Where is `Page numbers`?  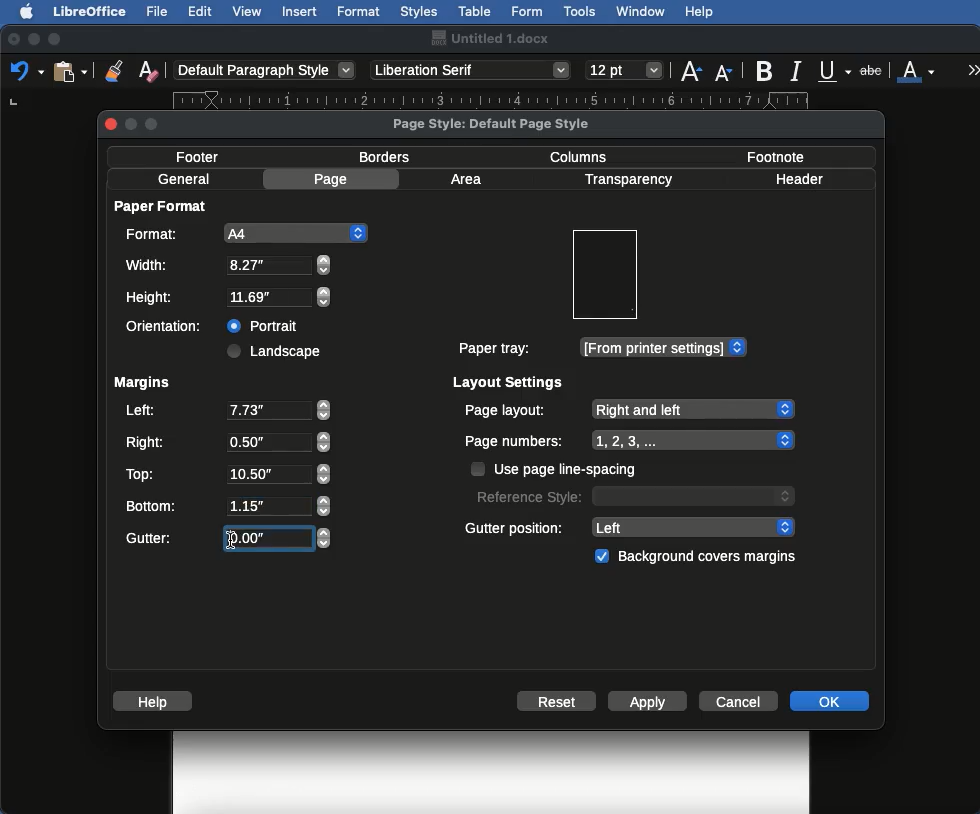 Page numbers is located at coordinates (630, 441).